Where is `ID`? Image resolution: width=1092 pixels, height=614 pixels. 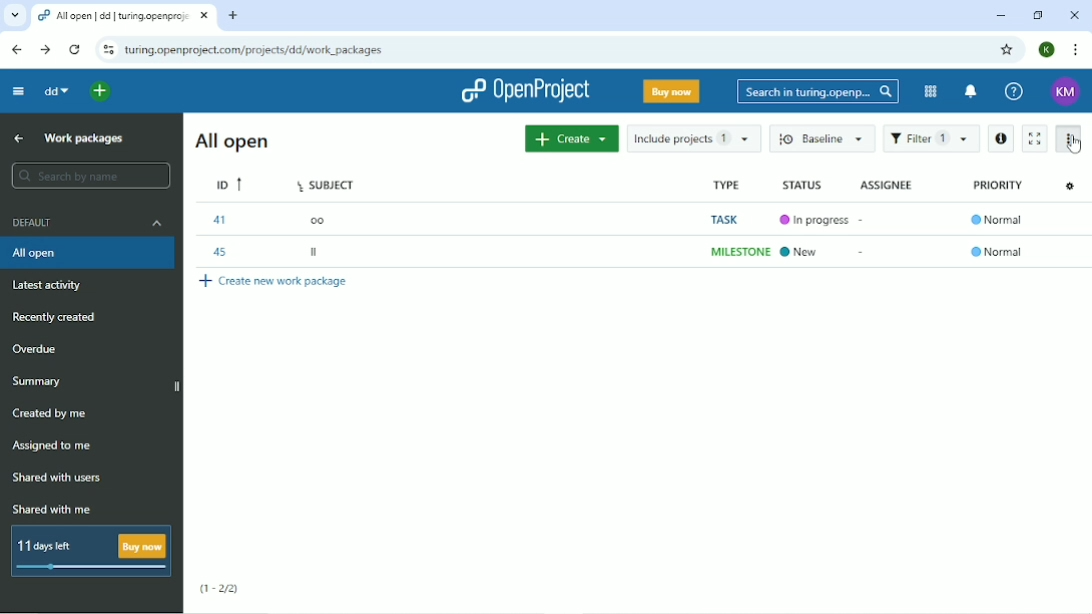 ID is located at coordinates (229, 185).